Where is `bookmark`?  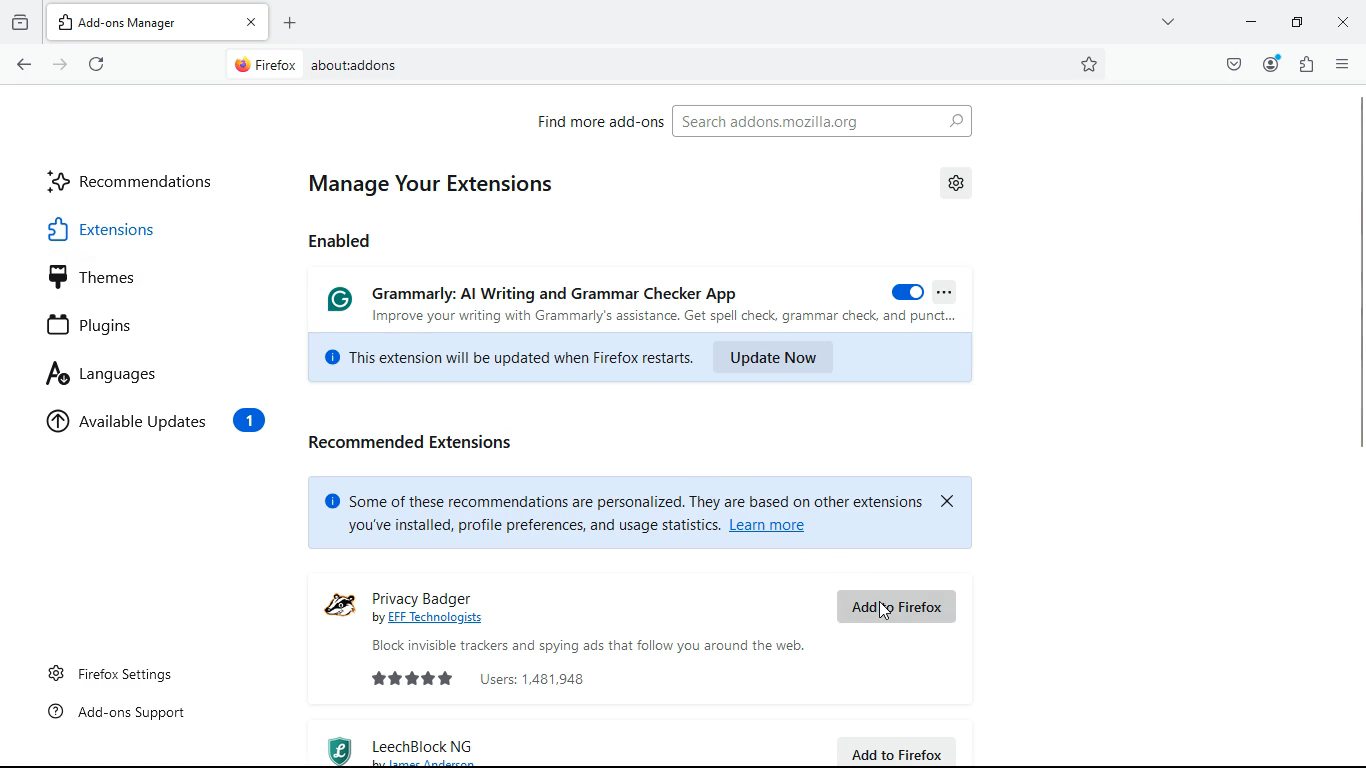 bookmark is located at coordinates (1090, 64).